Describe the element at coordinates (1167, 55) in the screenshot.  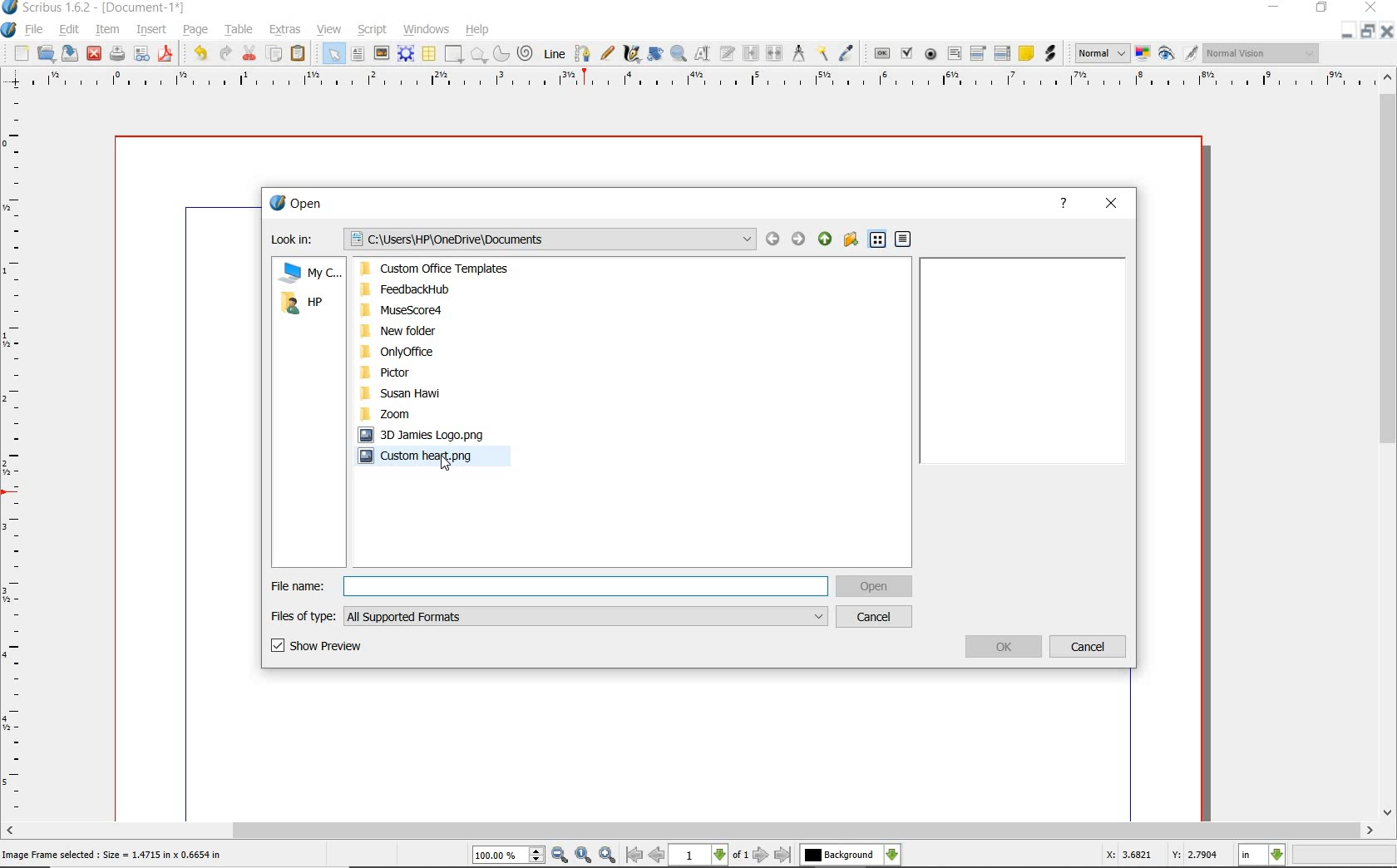
I see `preview mode` at that location.